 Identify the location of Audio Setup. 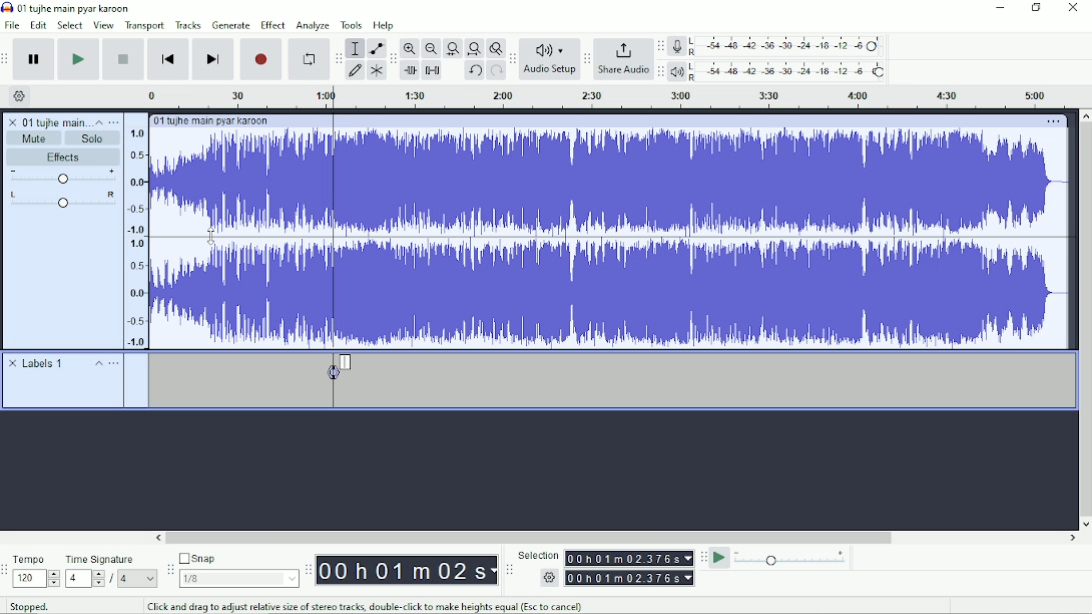
(549, 60).